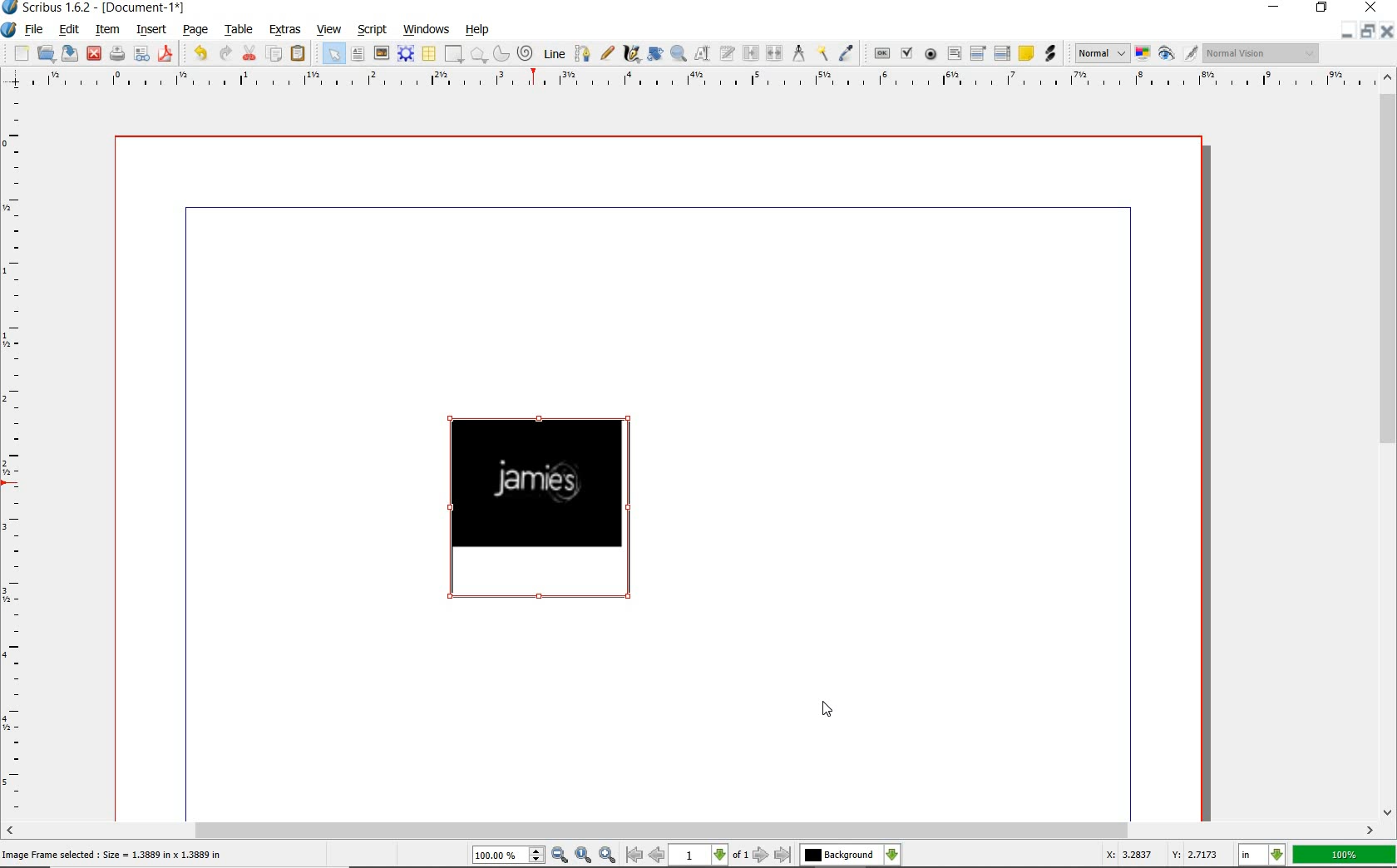 Image resolution: width=1397 pixels, height=868 pixels. Describe the element at coordinates (1160, 857) in the screenshot. I see `coordinates` at that location.